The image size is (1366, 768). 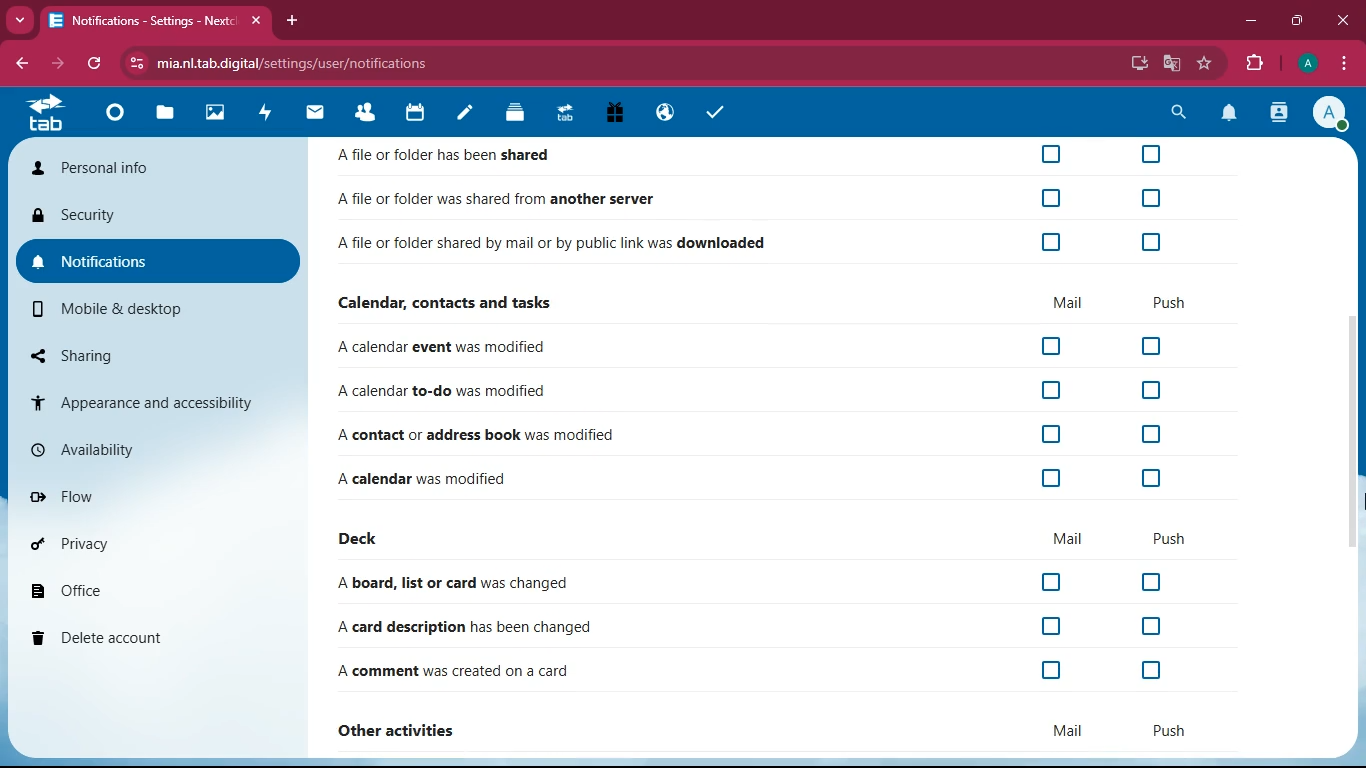 What do you see at coordinates (1052, 434) in the screenshot?
I see `off` at bounding box center [1052, 434].